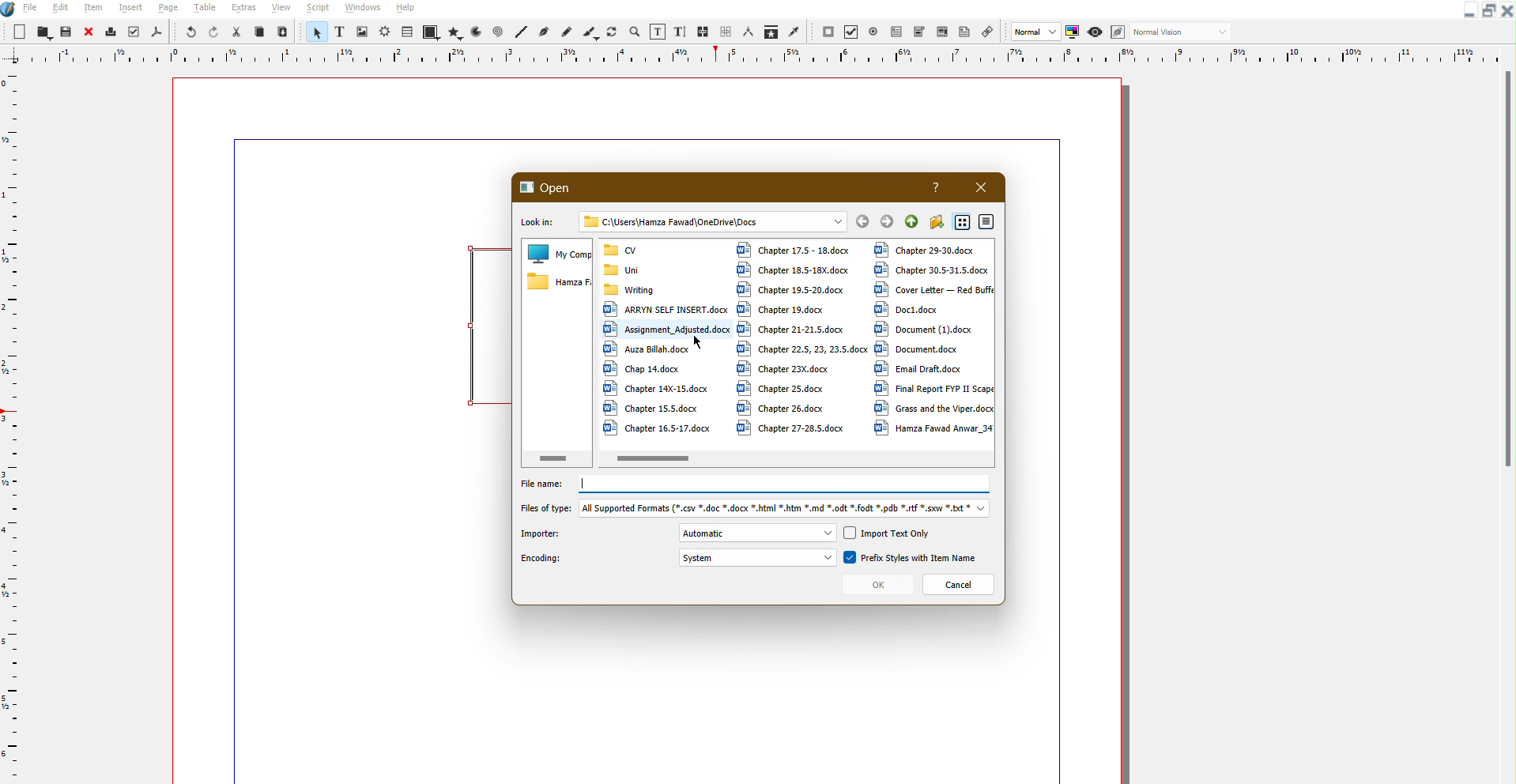 The image size is (1516, 784). Describe the element at coordinates (32, 9) in the screenshot. I see `File` at that location.